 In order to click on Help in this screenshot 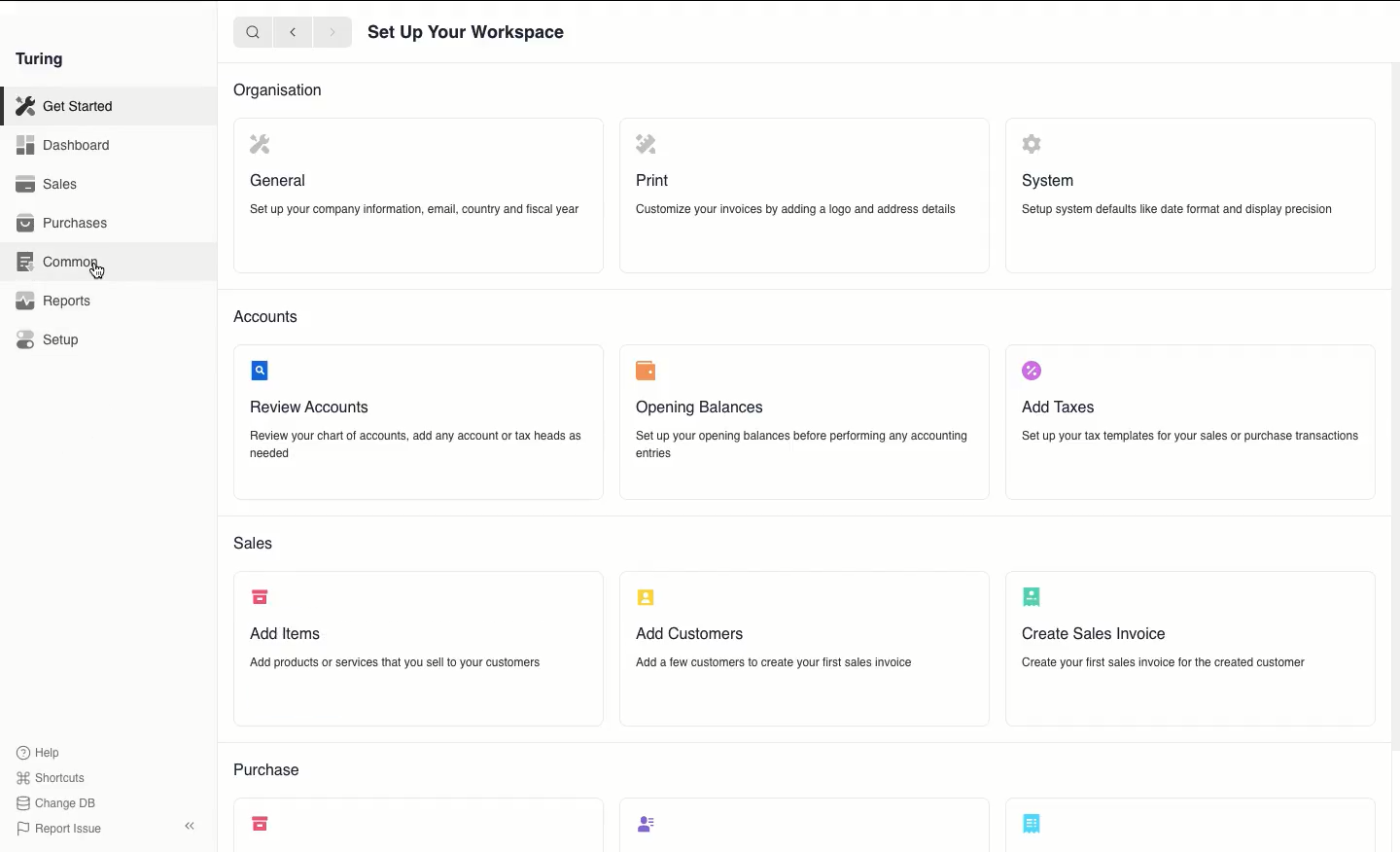, I will do `click(39, 753)`.